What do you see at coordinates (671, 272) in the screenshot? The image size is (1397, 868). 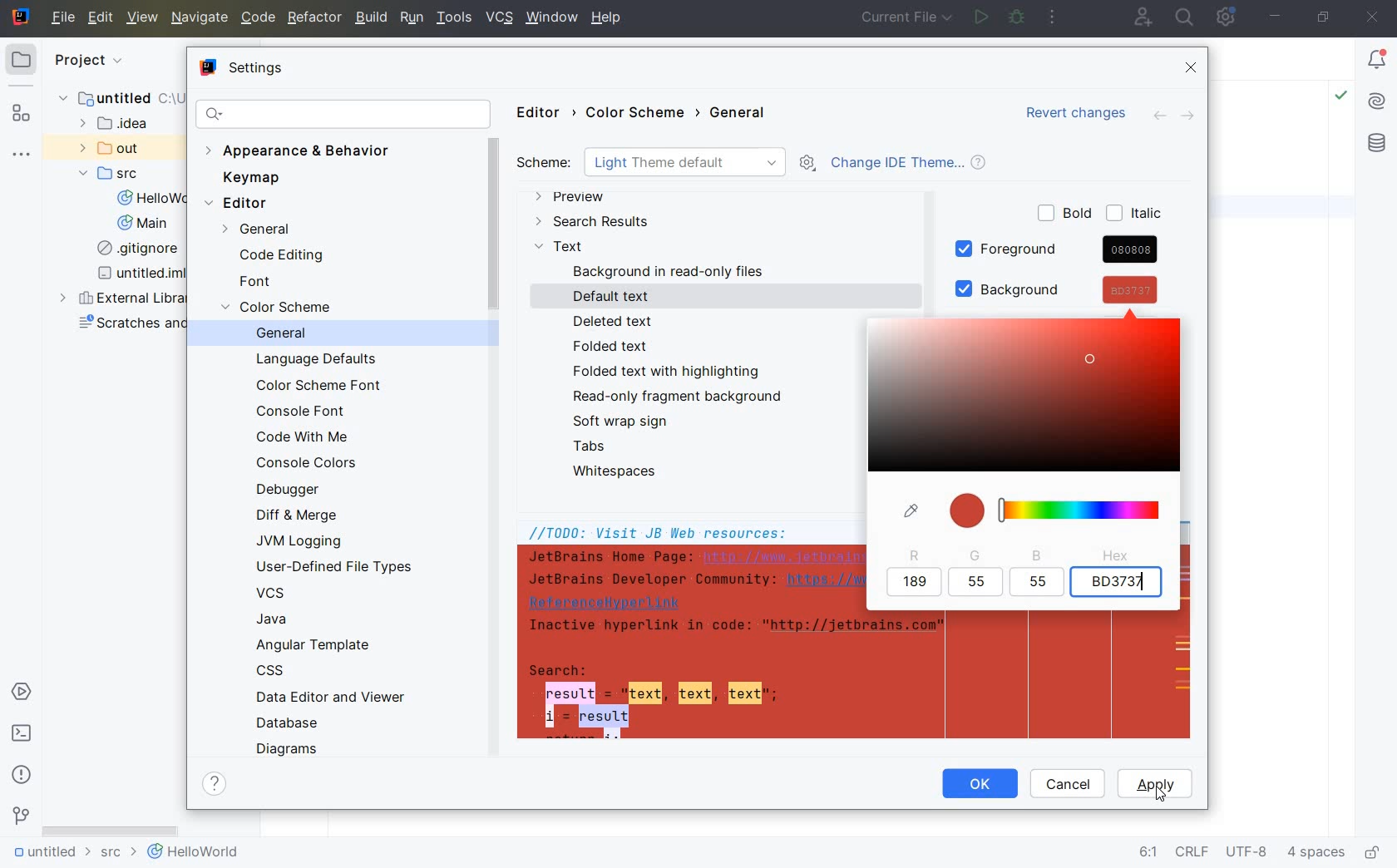 I see `BACKGROUND` at bounding box center [671, 272].